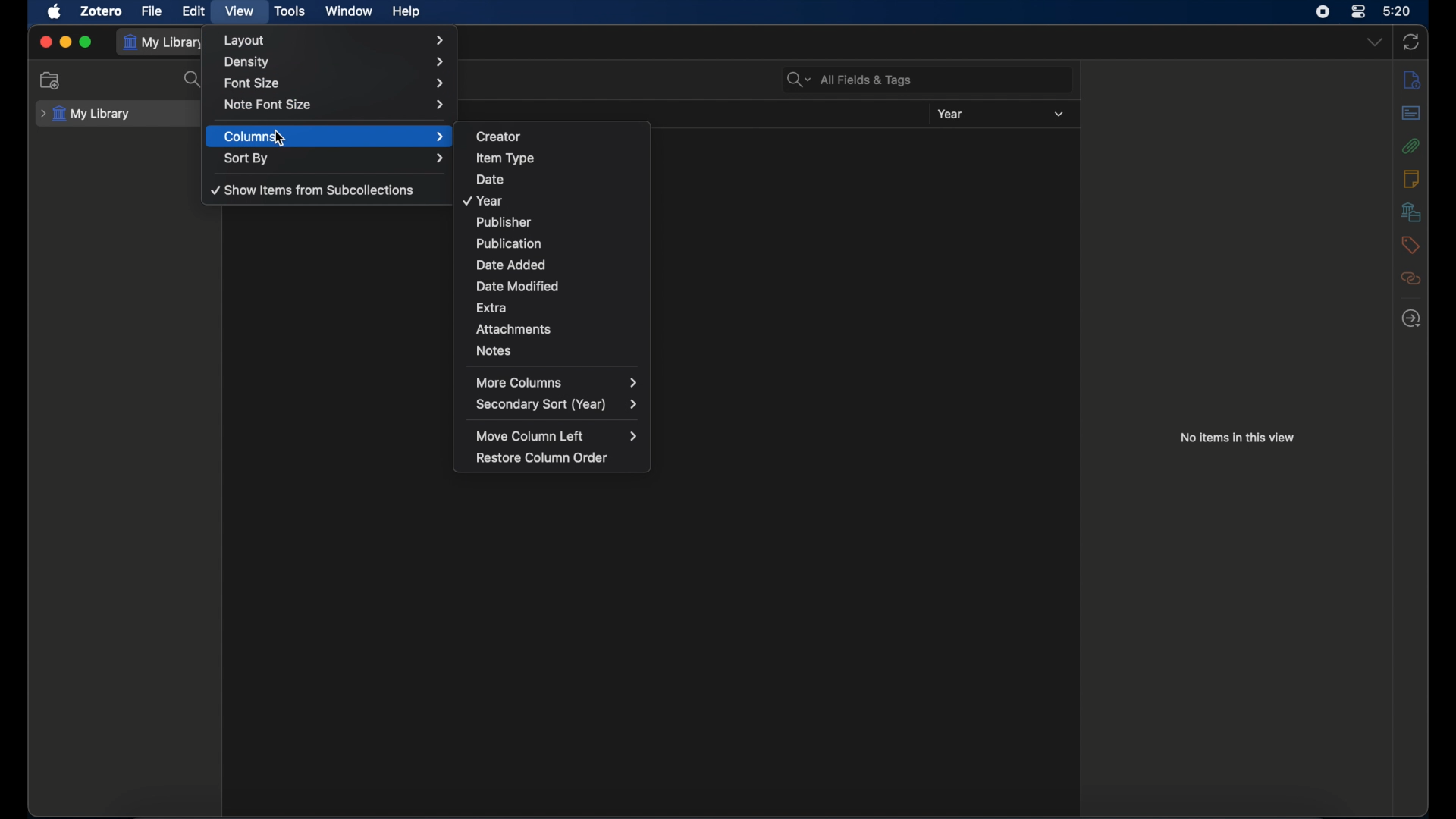  I want to click on close, so click(45, 42).